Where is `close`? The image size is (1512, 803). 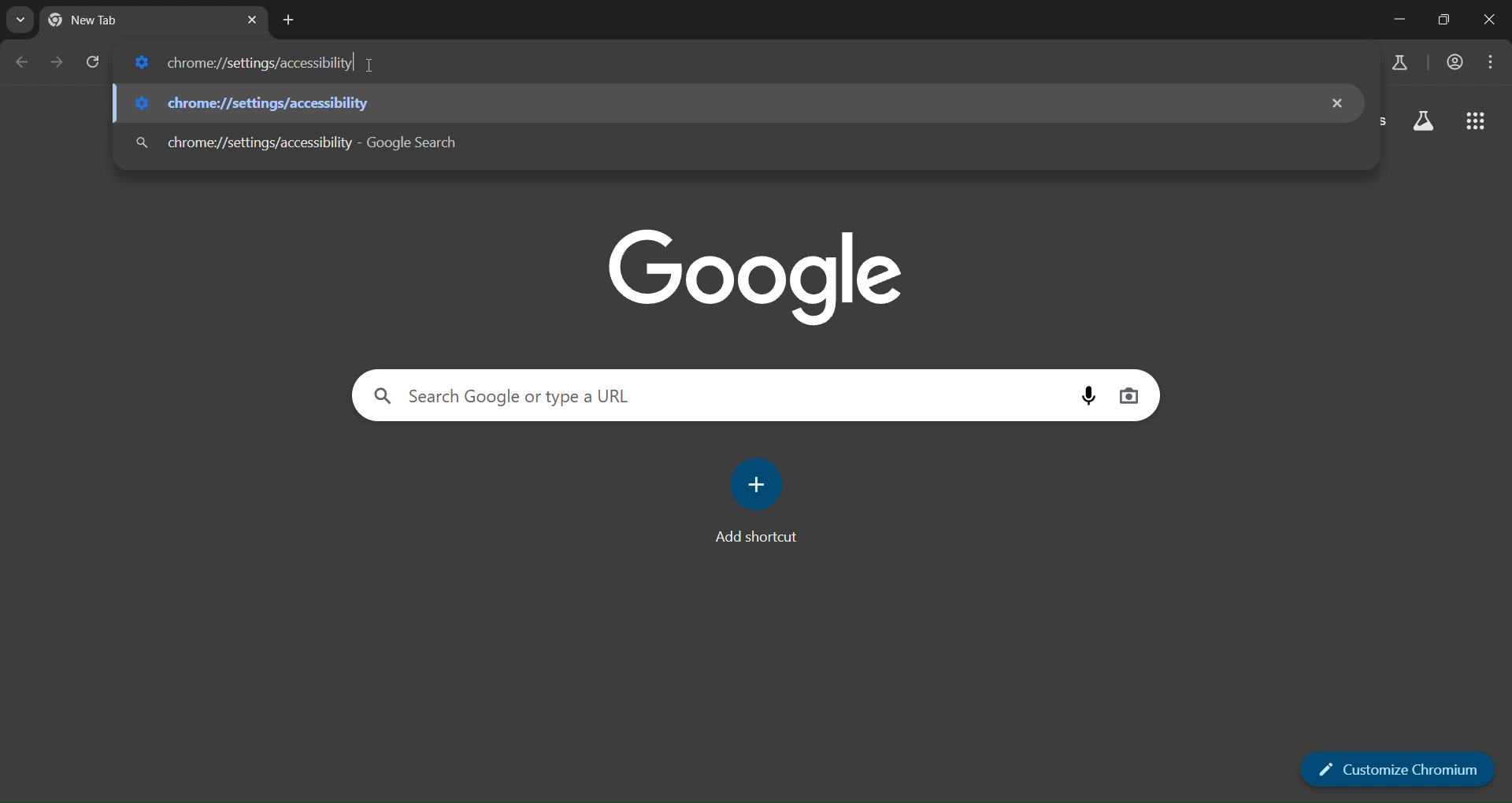
close is located at coordinates (1487, 21).